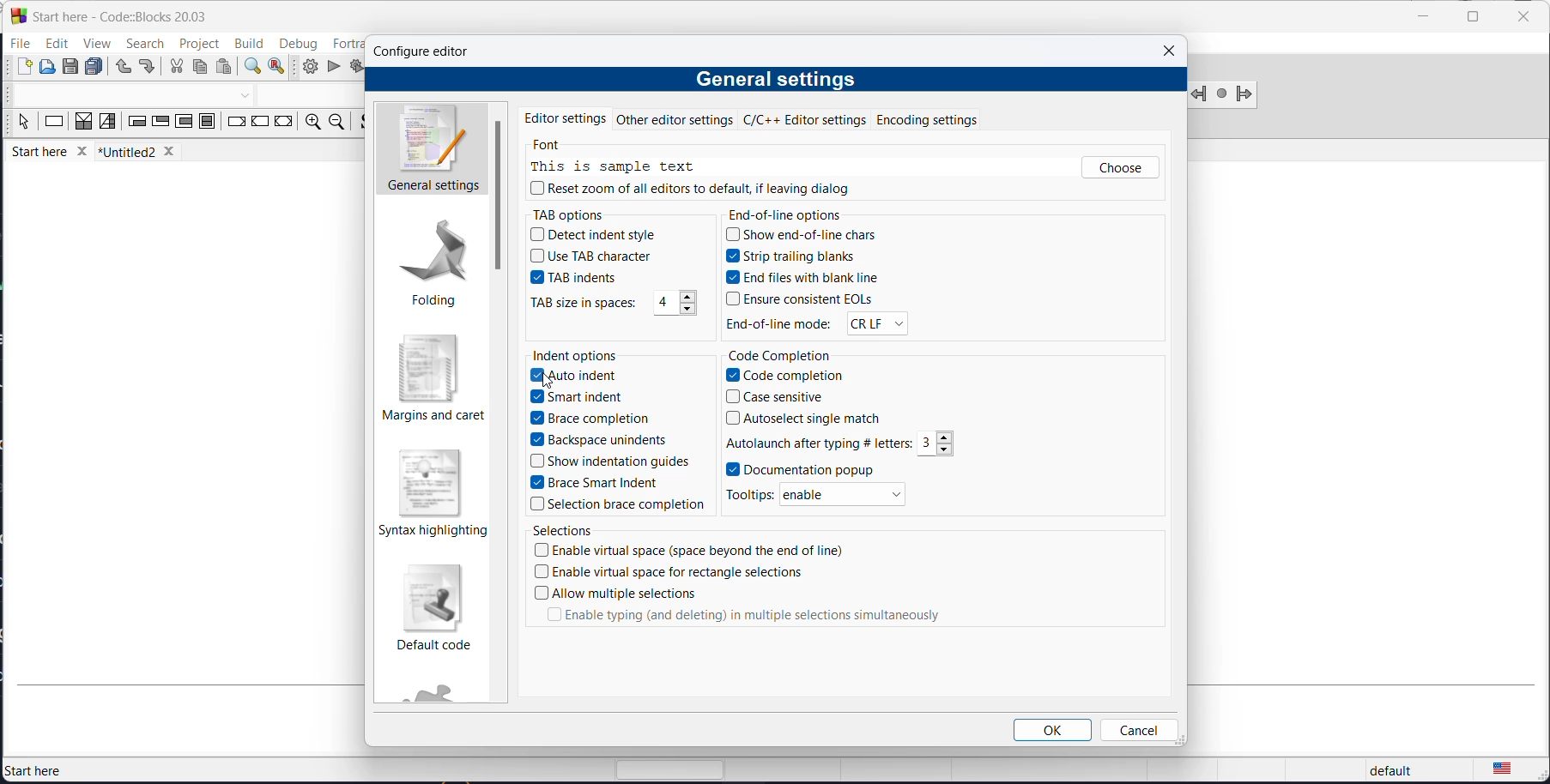 The width and height of the screenshot is (1550, 784). What do you see at coordinates (160, 124) in the screenshot?
I see `exit condition loop` at bounding box center [160, 124].